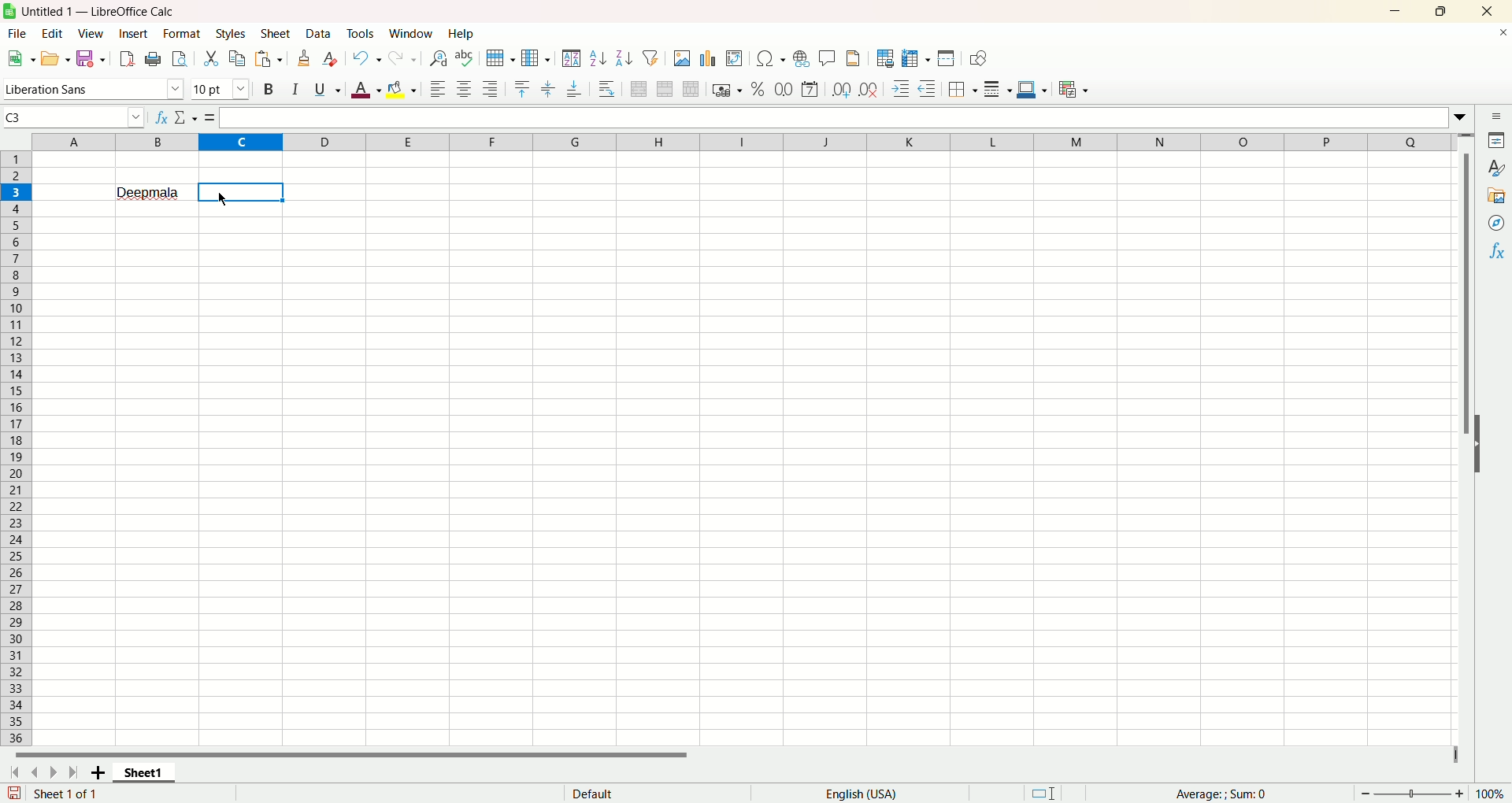 This screenshot has height=803, width=1512. Describe the element at coordinates (361, 33) in the screenshot. I see `Tools` at that location.